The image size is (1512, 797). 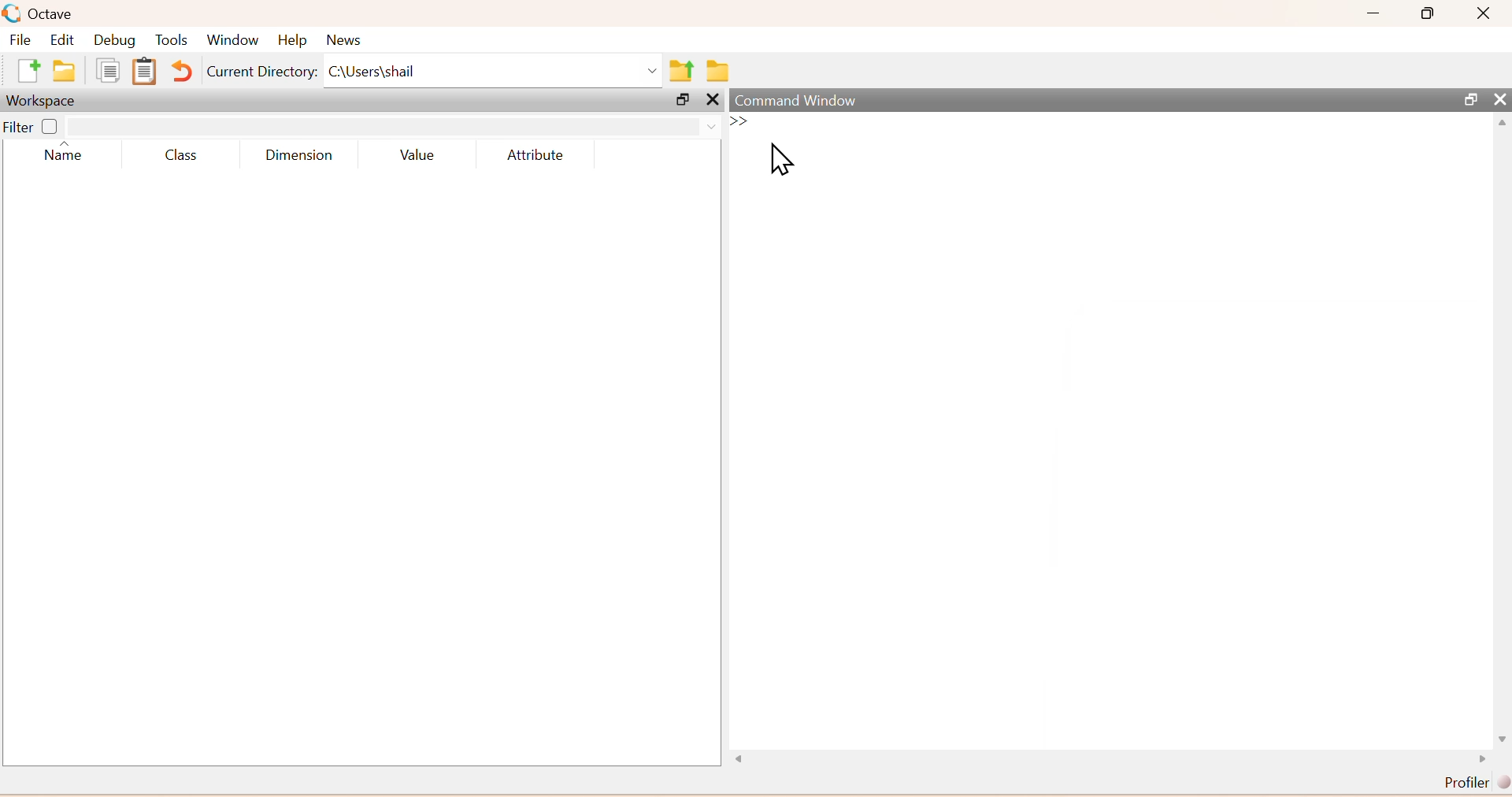 I want to click on Profiler, so click(x=1473, y=783).